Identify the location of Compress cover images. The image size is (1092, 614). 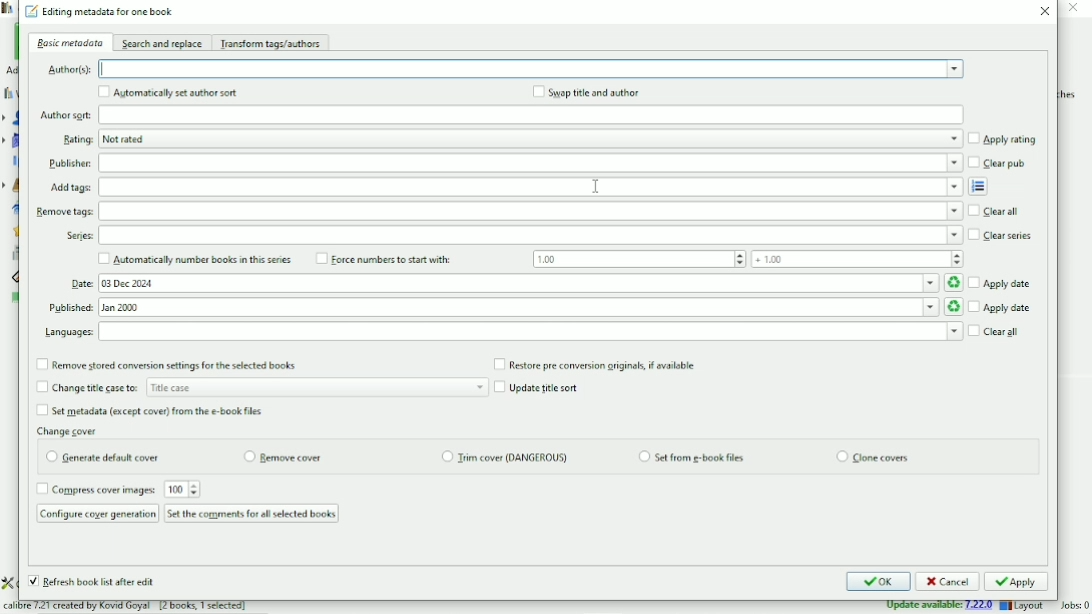
(95, 489).